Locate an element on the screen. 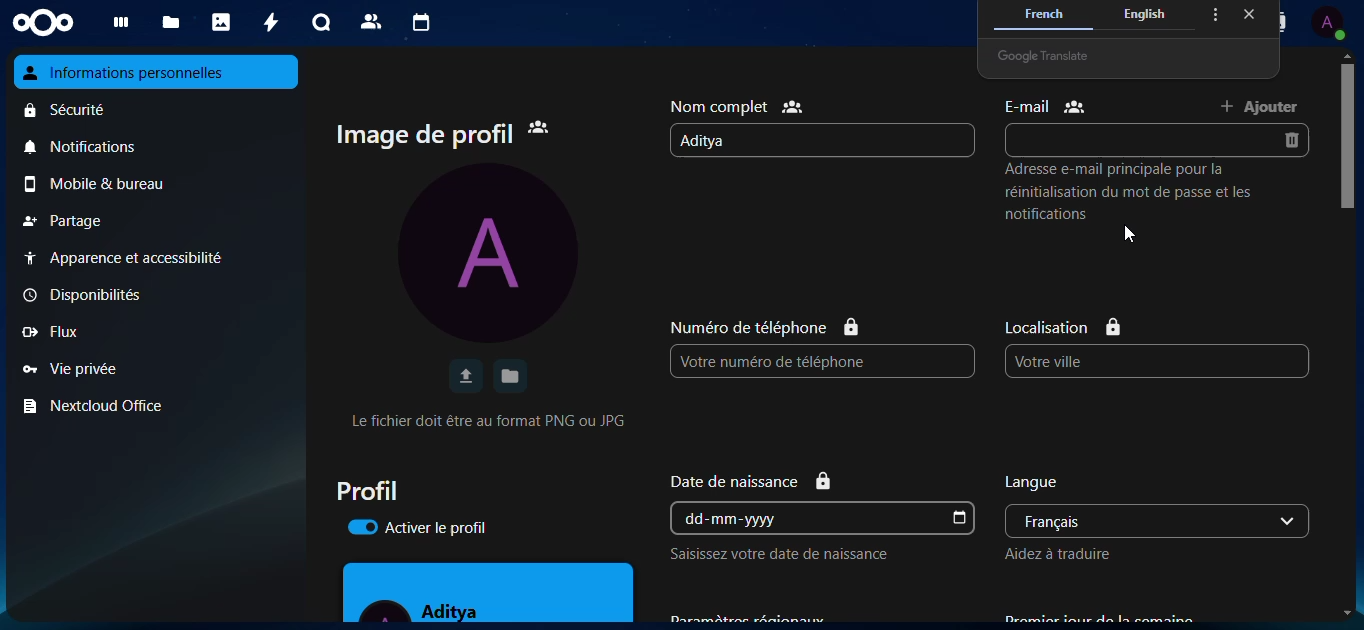 This screenshot has height=630, width=1364. Aditya is located at coordinates (716, 141).